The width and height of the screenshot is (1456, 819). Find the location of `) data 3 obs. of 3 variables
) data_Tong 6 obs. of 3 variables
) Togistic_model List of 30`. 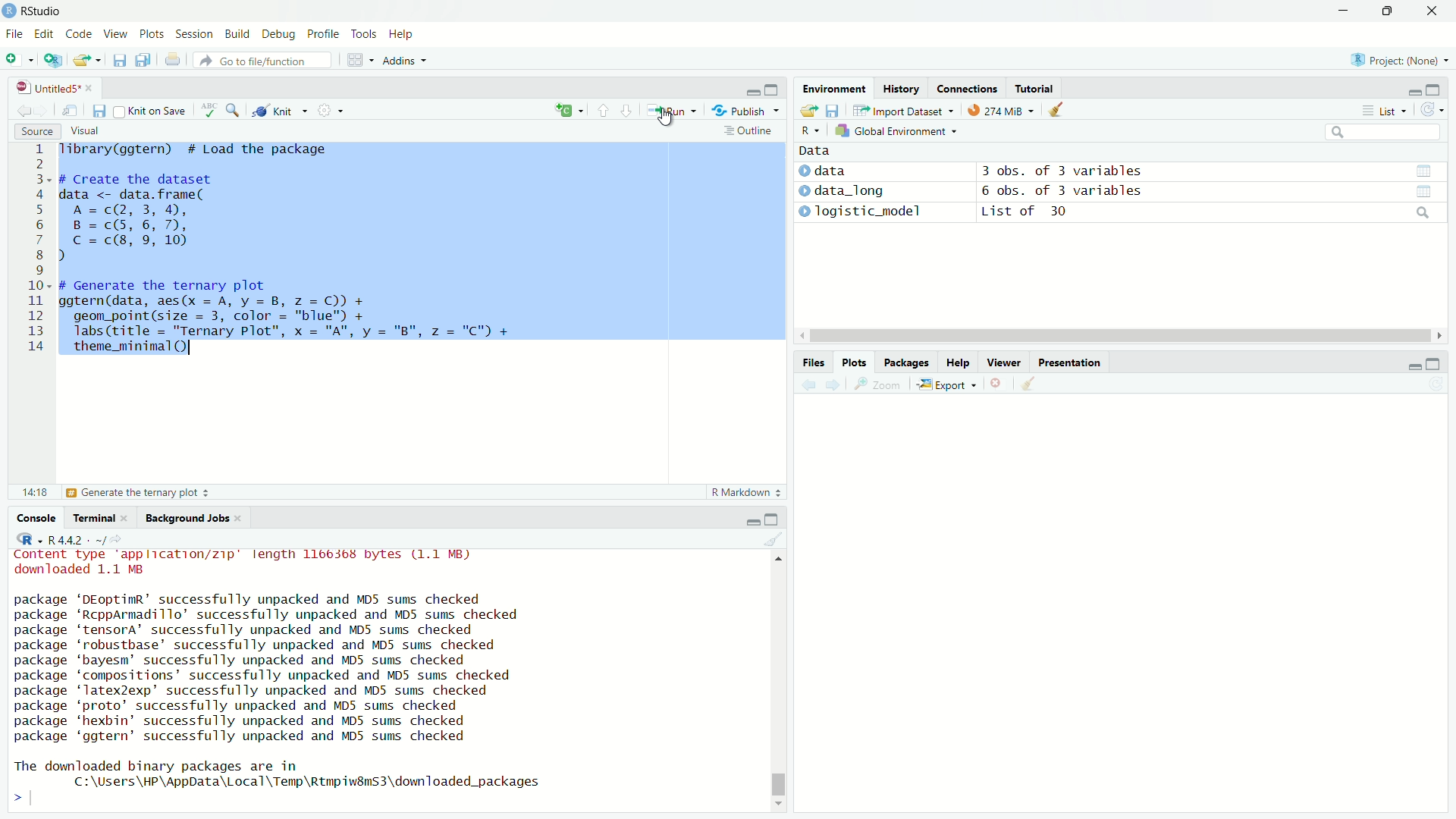

) data 3 obs. of 3 variables
) data_Tong 6 obs. of 3 variables
) Togistic_model List of 30 is located at coordinates (1028, 196).